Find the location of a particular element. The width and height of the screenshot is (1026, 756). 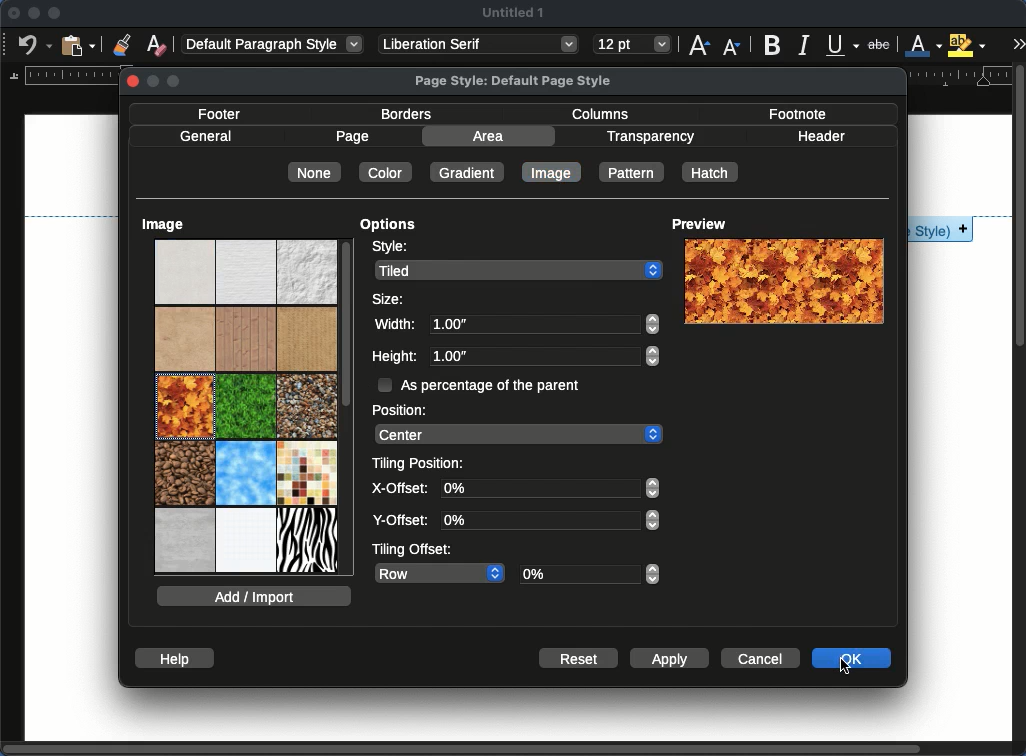

transparency is located at coordinates (652, 137).